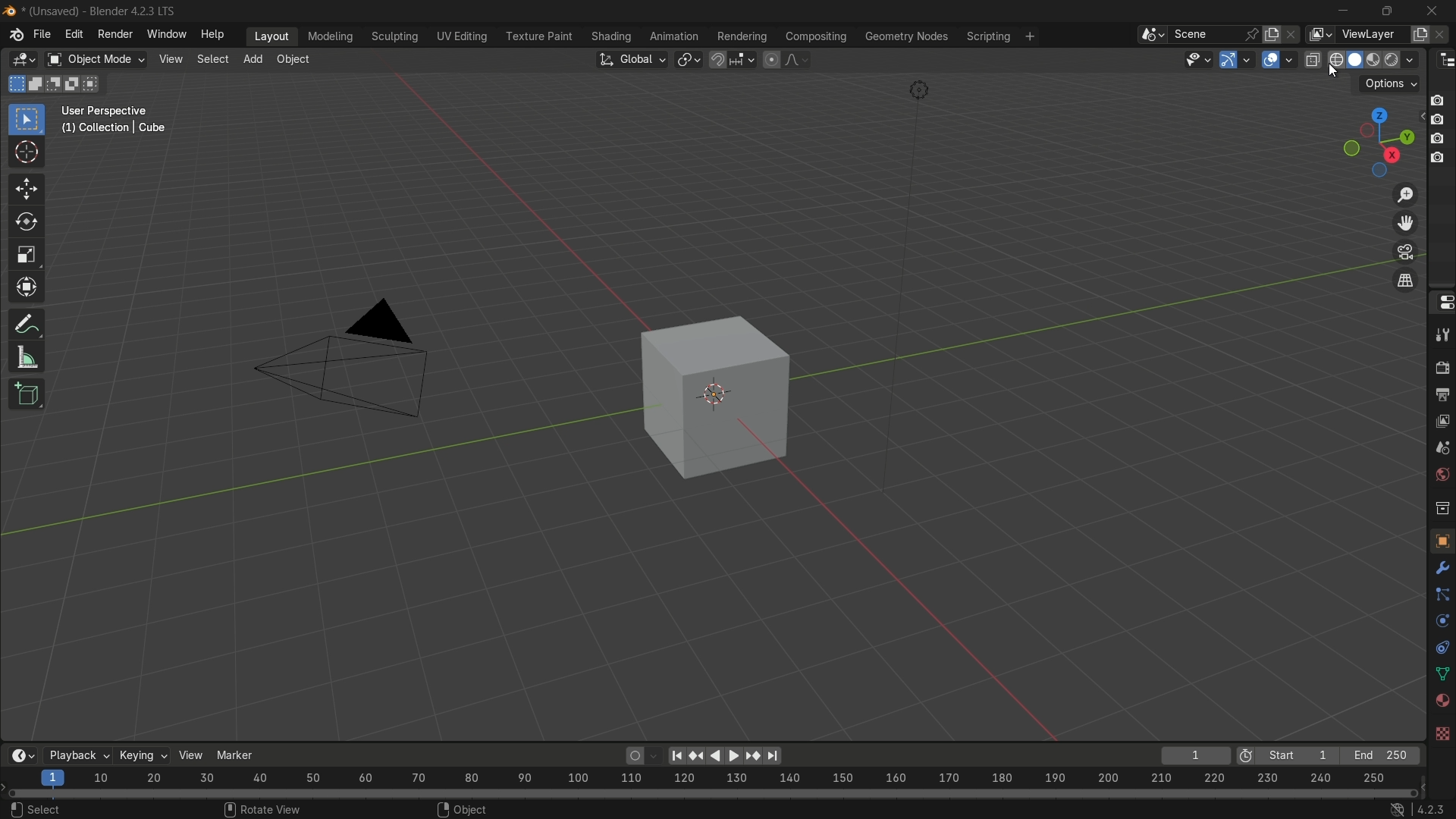 This screenshot has height=819, width=1456. What do you see at coordinates (1442, 593) in the screenshot?
I see `particles` at bounding box center [1442, 593].